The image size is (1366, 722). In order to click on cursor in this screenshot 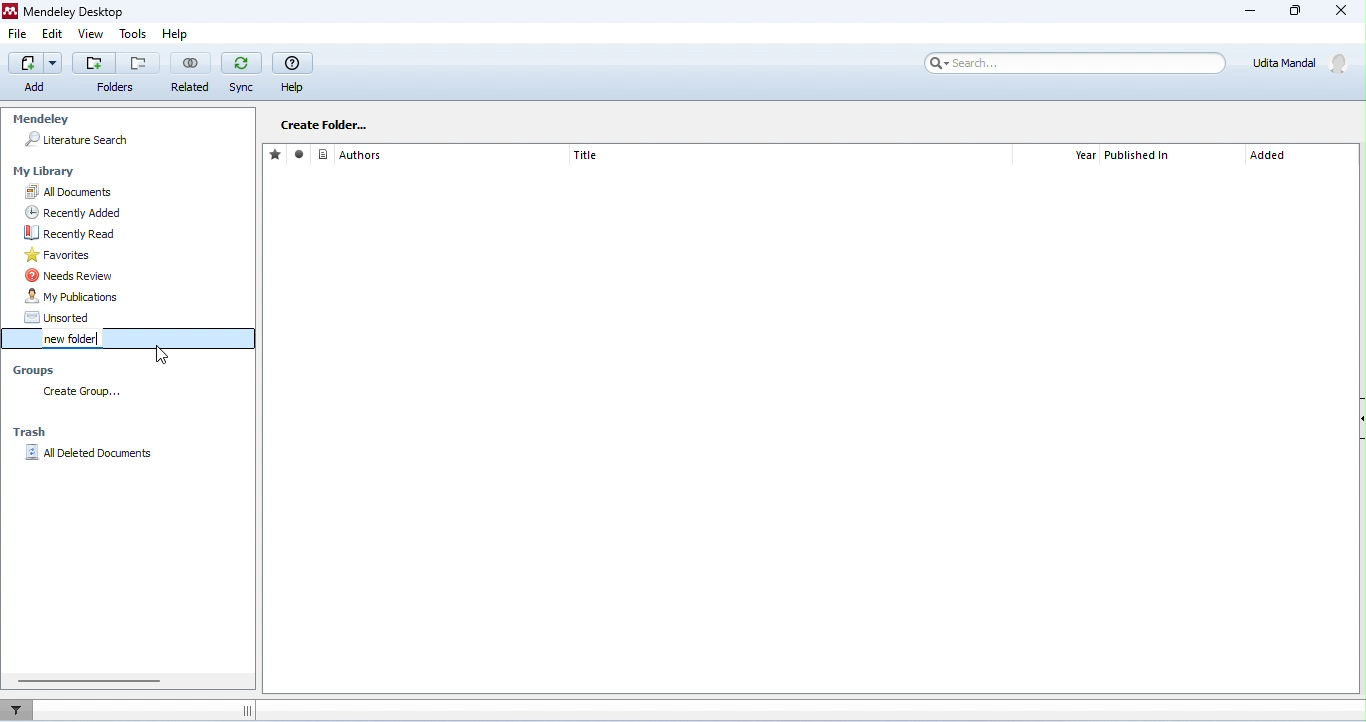, I will do `click(148, 351)`.